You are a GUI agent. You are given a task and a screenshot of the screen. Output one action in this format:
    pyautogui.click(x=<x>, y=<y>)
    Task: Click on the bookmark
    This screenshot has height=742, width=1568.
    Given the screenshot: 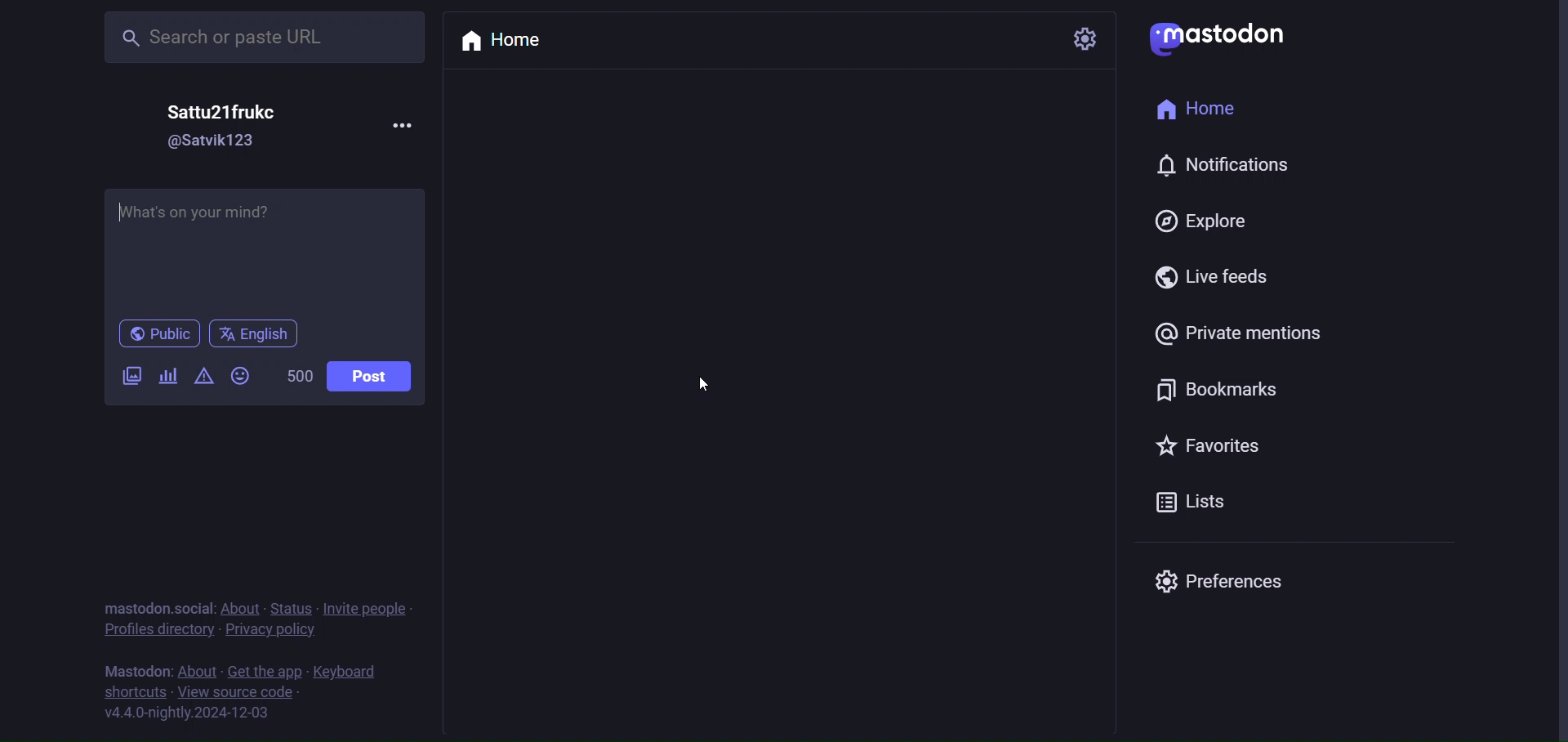 What is the action you would take?
    pyautogui.click(x=1205, y=391)
    